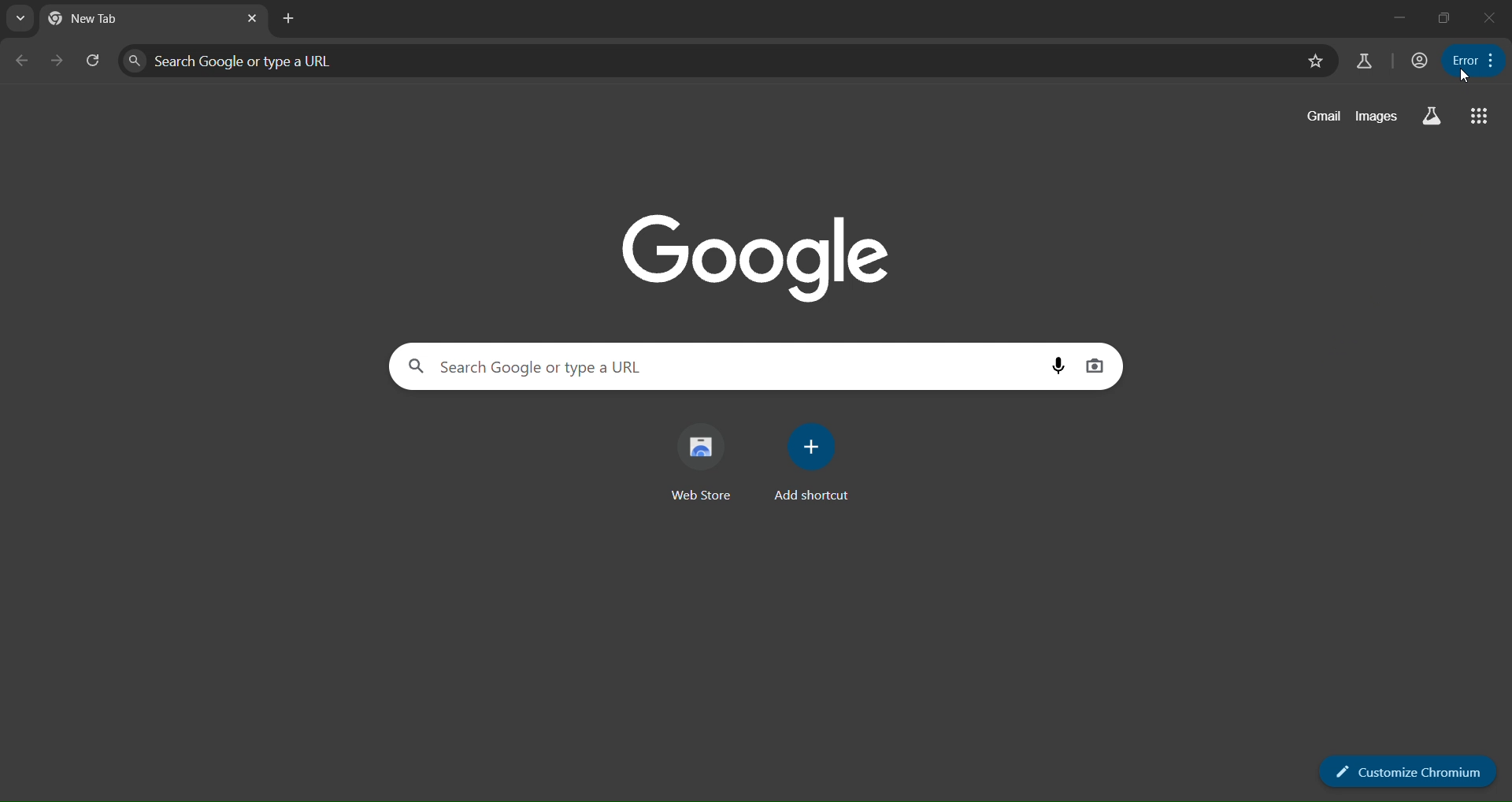 The width and height of the screenshot is (1512, 802). What do you see at coordinates (1488, 17) in the screenshot?
I see `close` at bounding box center [1488, 17].